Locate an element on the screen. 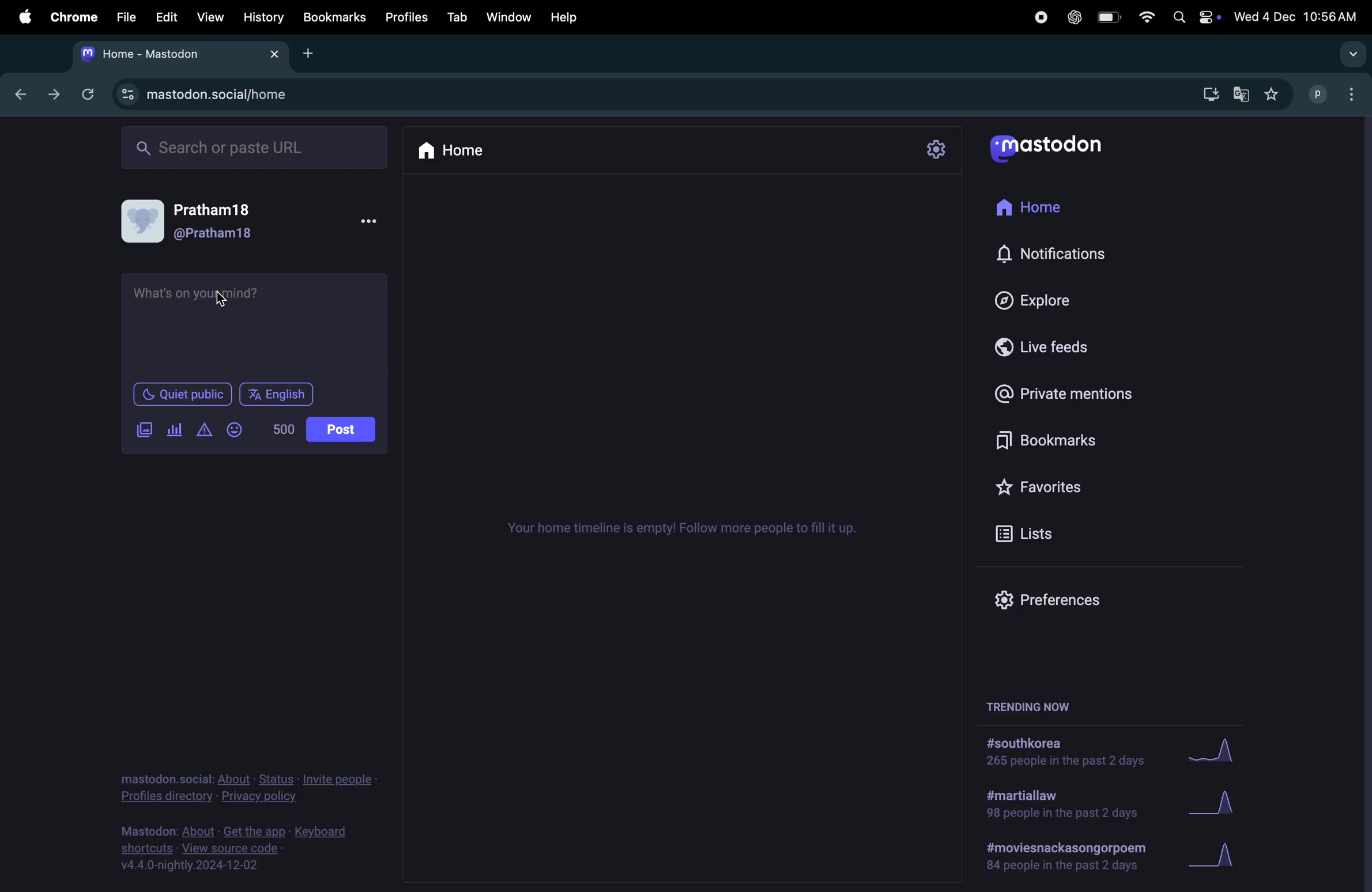 The height and width of the screenshot is (892, 1372). settings is located at coordinates (936, 151).